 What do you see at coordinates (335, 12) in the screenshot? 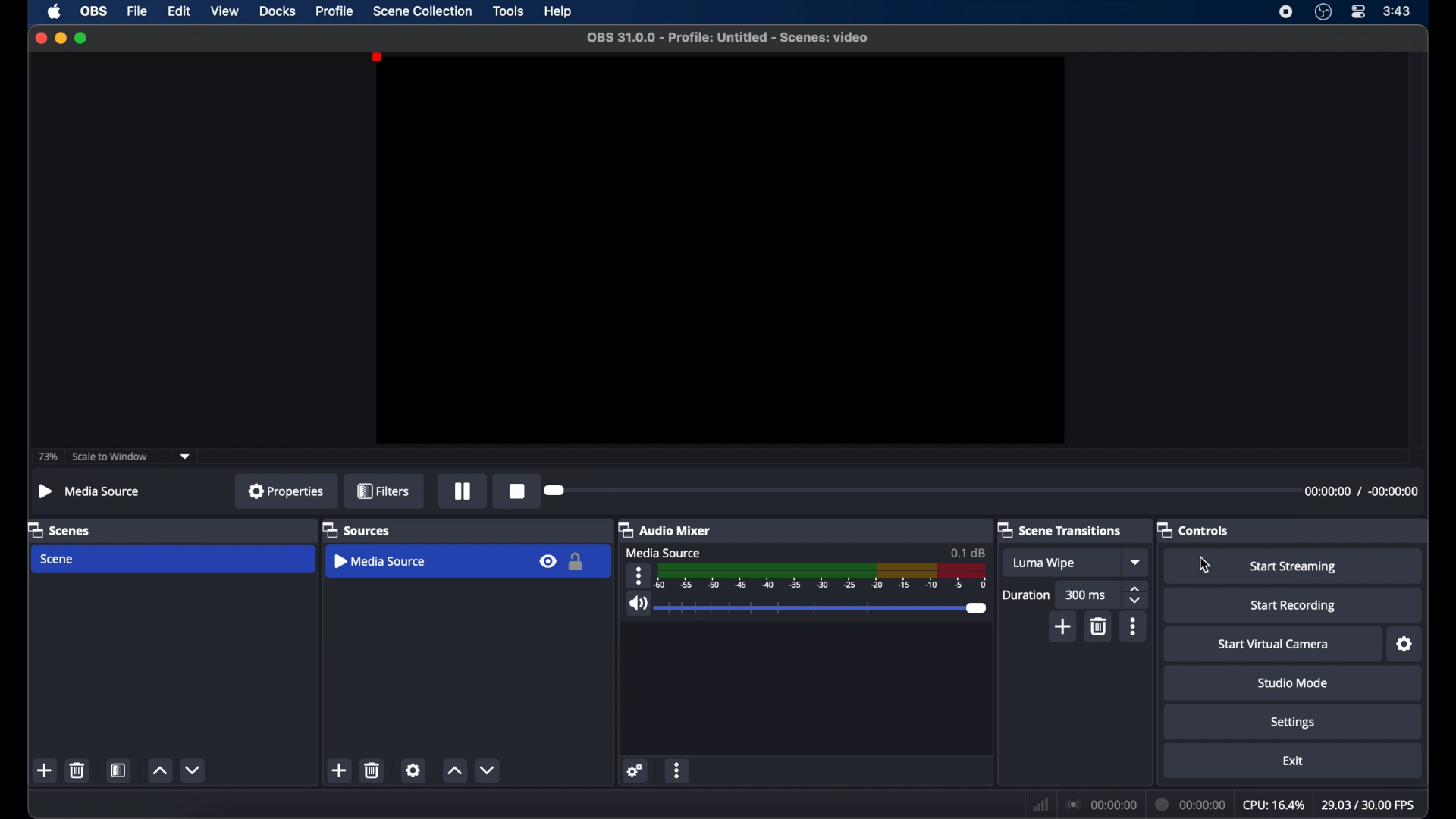
I see `profile` at bounding box center [335, 12].